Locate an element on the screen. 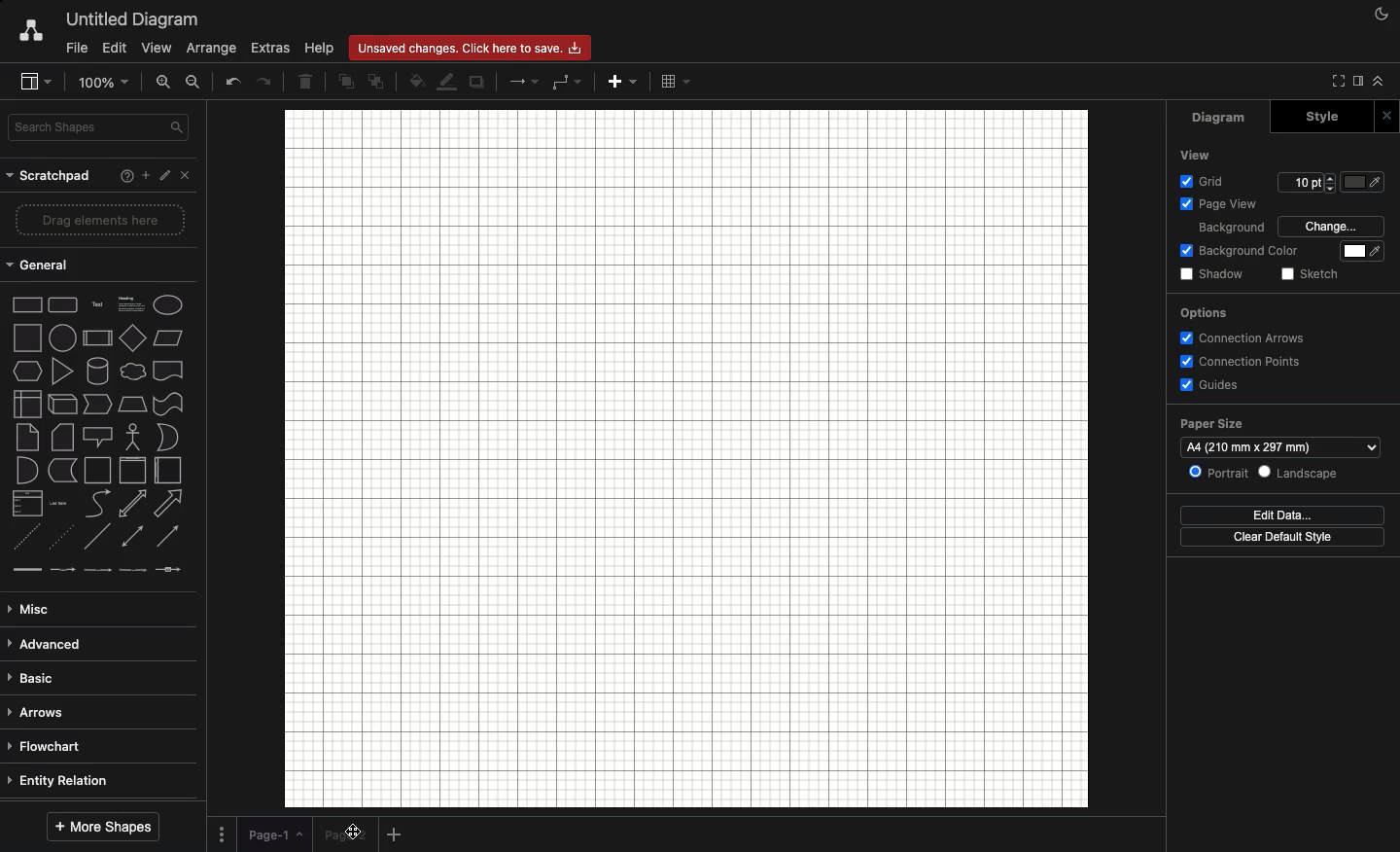 The height and width of the screenshot is (852, 1400). Drag elements here is located at coordinates (101, 220).